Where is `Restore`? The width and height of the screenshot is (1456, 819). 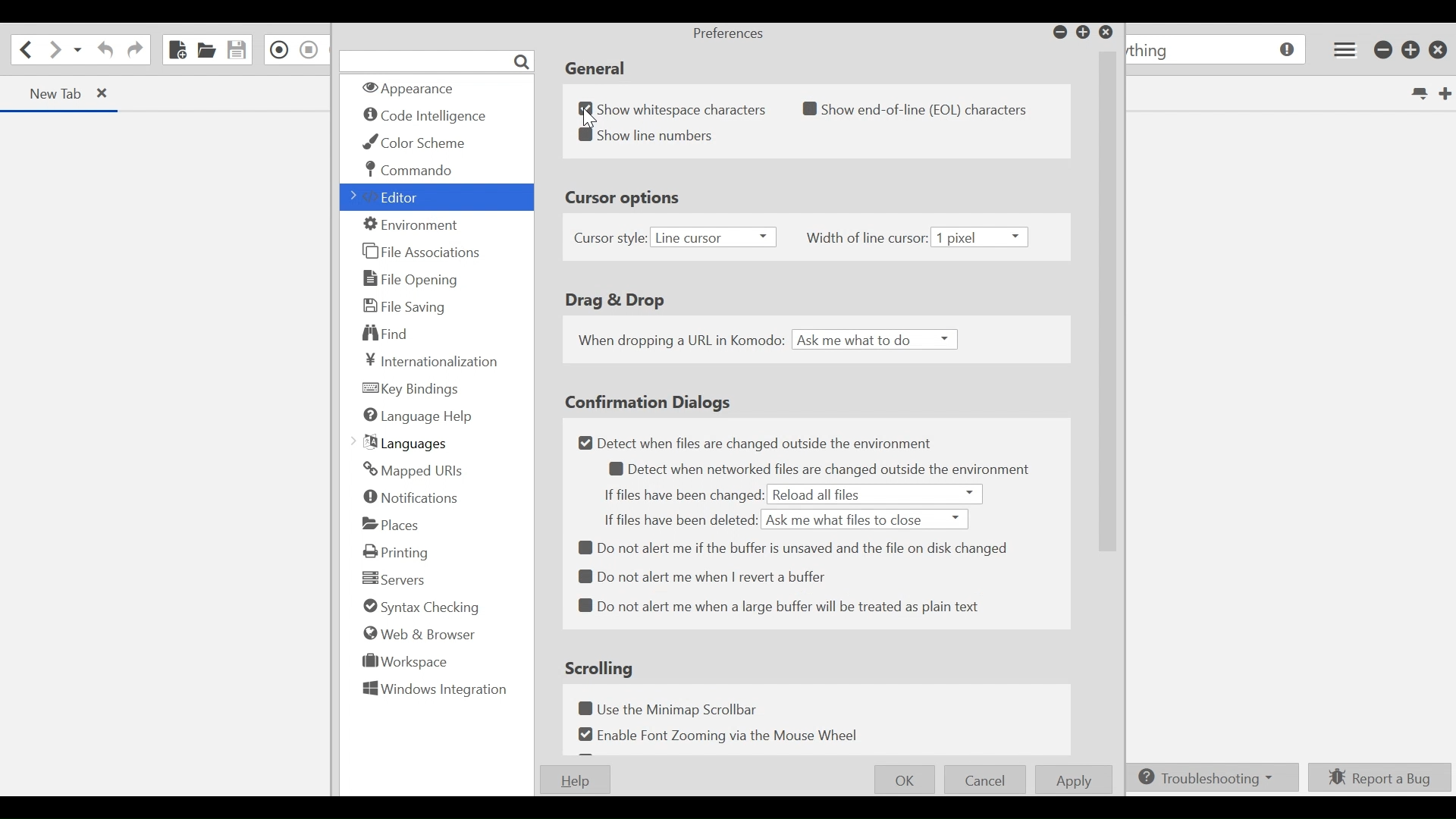
Restore is located at coordinates (1411, 49).